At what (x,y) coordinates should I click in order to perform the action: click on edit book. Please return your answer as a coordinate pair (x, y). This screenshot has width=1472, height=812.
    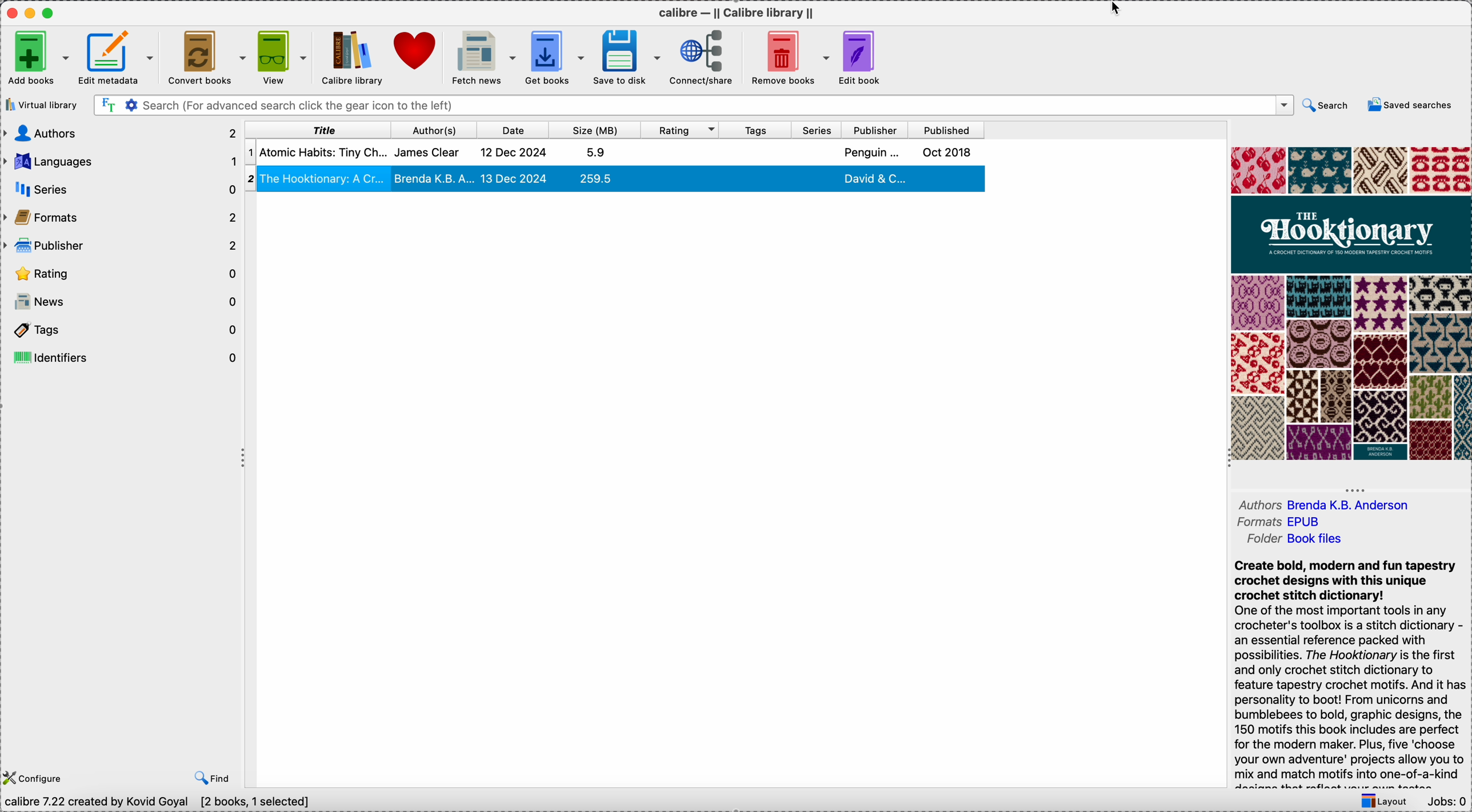
    Looking at the image, I should click on (861, 58).